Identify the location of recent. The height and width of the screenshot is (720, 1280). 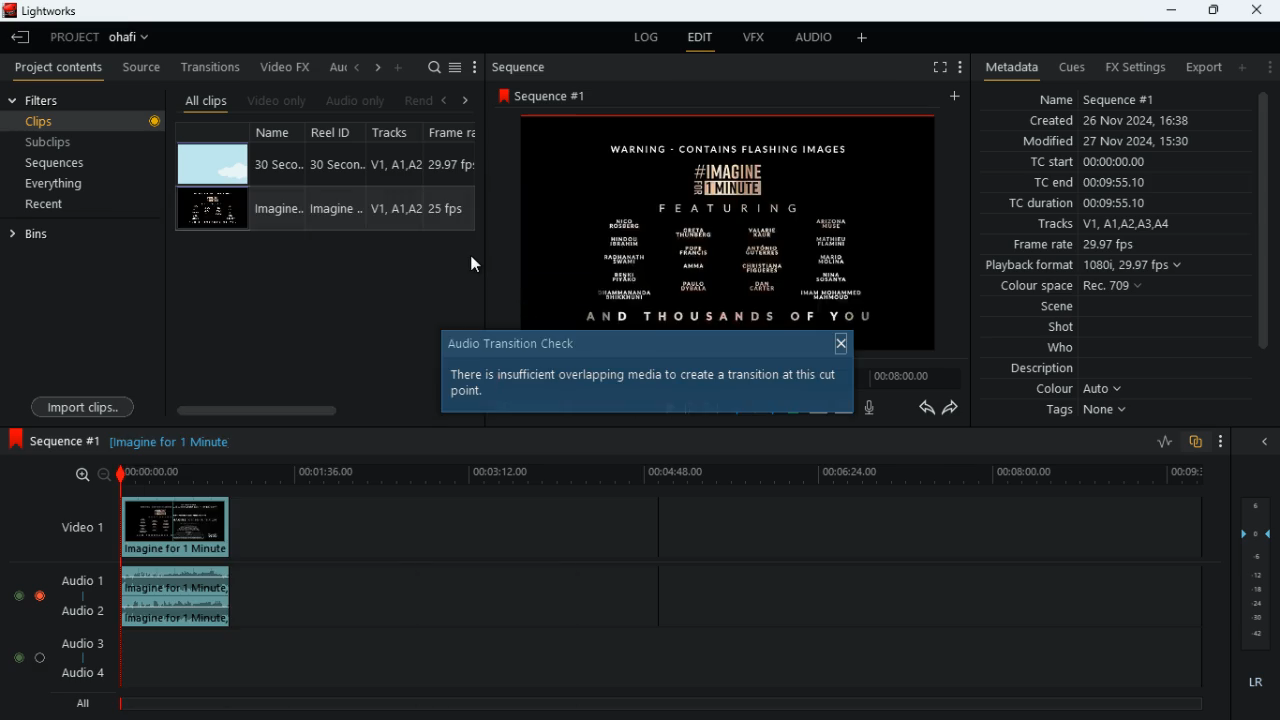
(61, 206).